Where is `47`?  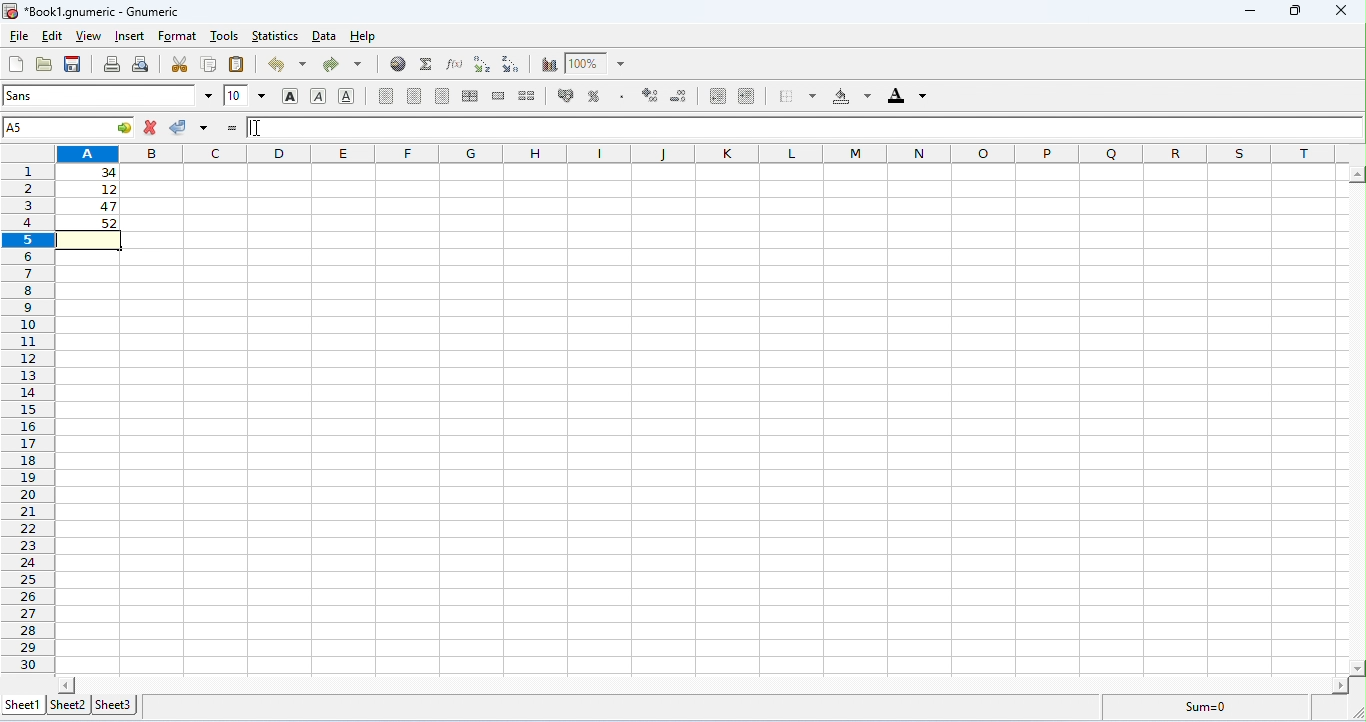 47 is located at coordinates (93, 207).